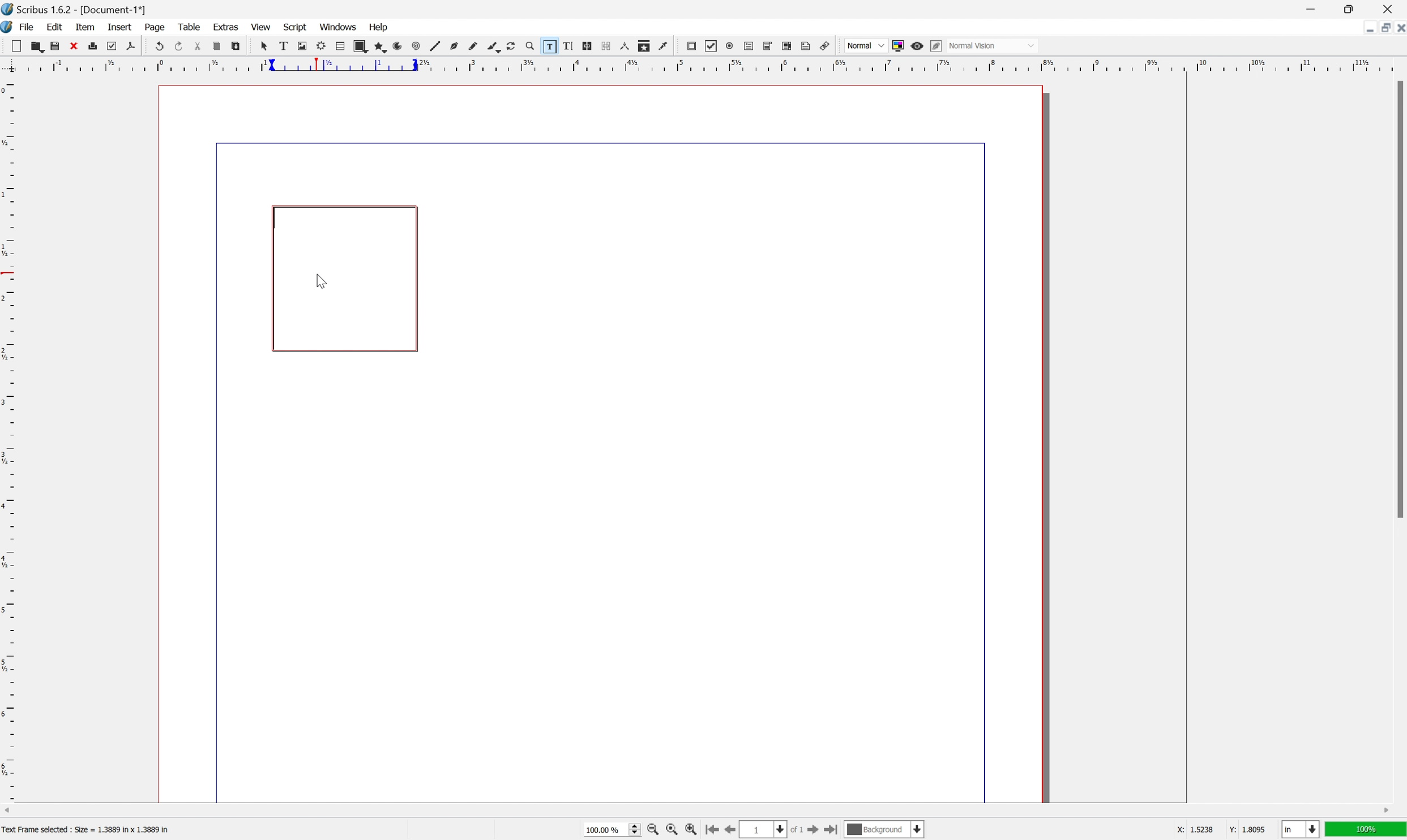 This screenshot has width=1407, height=840. Describe the element at coordinates (17, 45) in the screenshot. I see `new` at that location.